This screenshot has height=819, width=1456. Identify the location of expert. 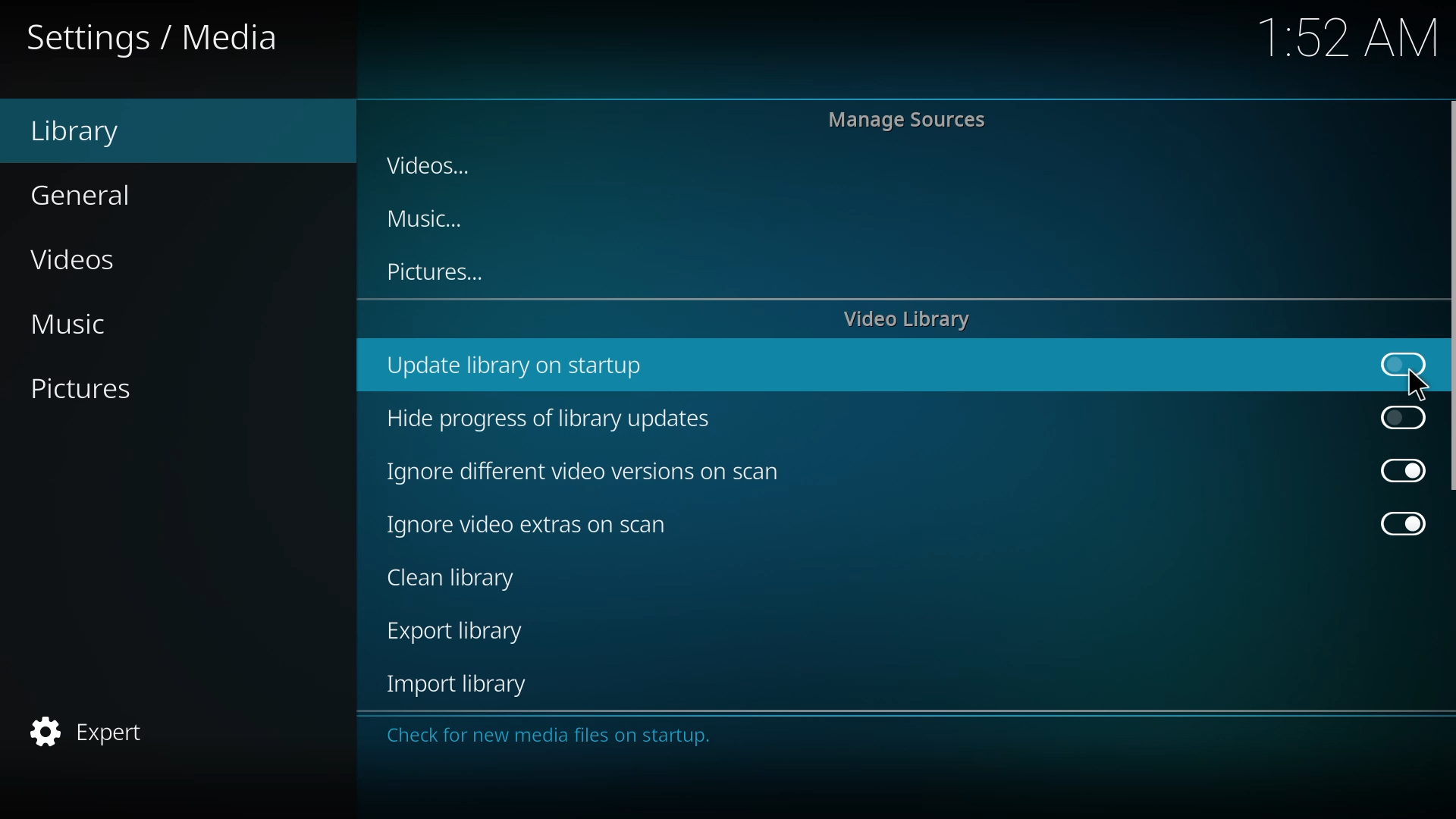
(94, 733).